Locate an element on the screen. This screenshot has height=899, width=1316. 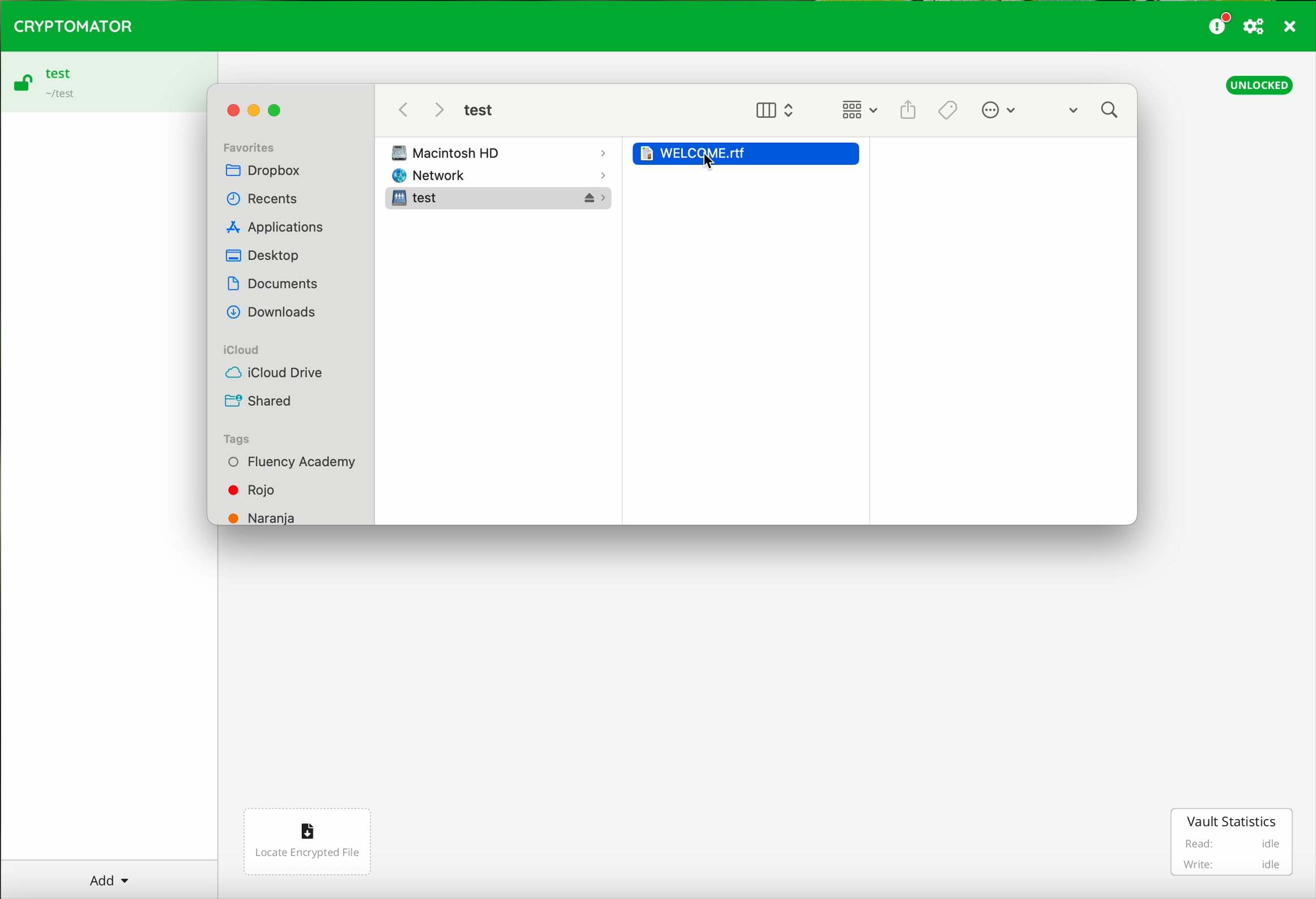
Dropbox is located at coordinates (265, 172).